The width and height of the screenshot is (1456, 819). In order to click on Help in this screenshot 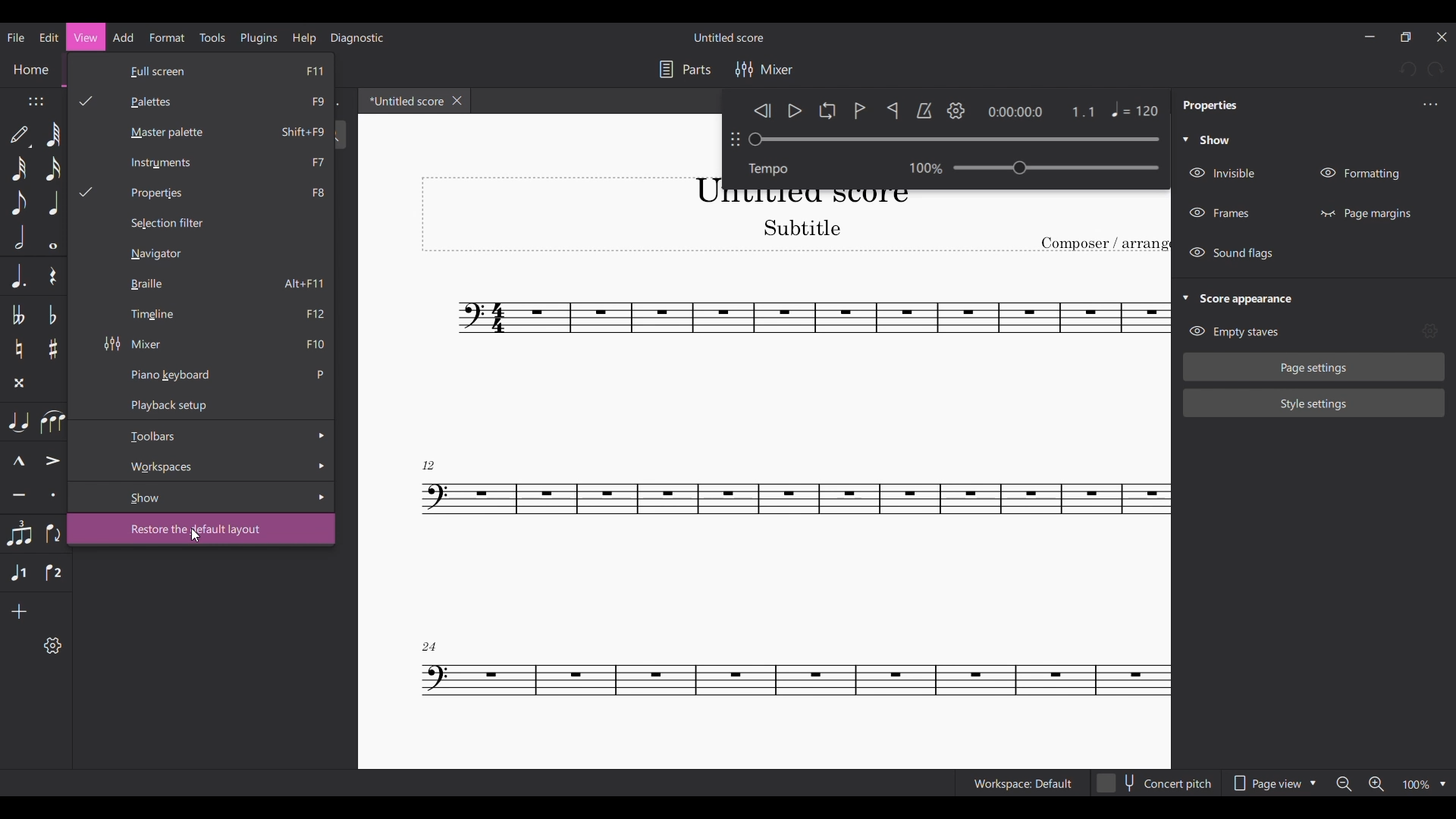, I will do `click(304, 38)`.